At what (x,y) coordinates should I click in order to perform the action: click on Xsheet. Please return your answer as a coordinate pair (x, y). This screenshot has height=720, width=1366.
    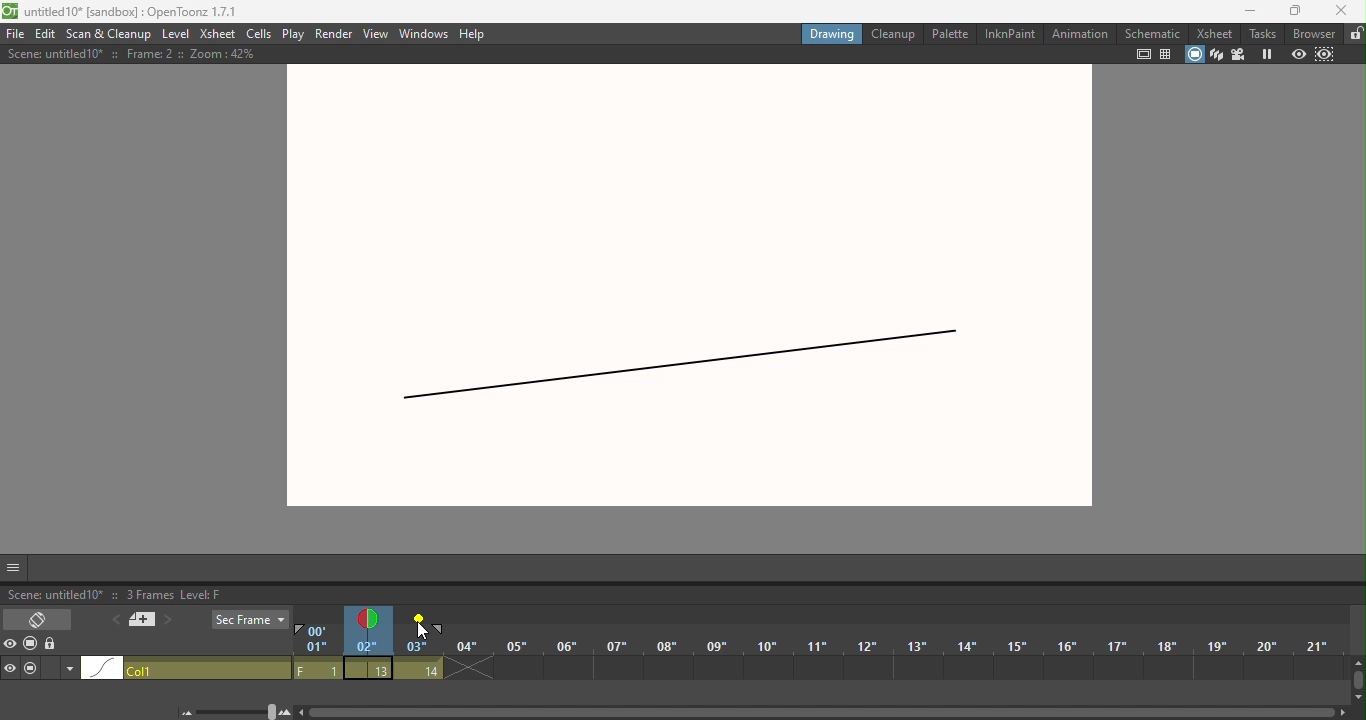
    Looking at the image, I should click on (217, 34).